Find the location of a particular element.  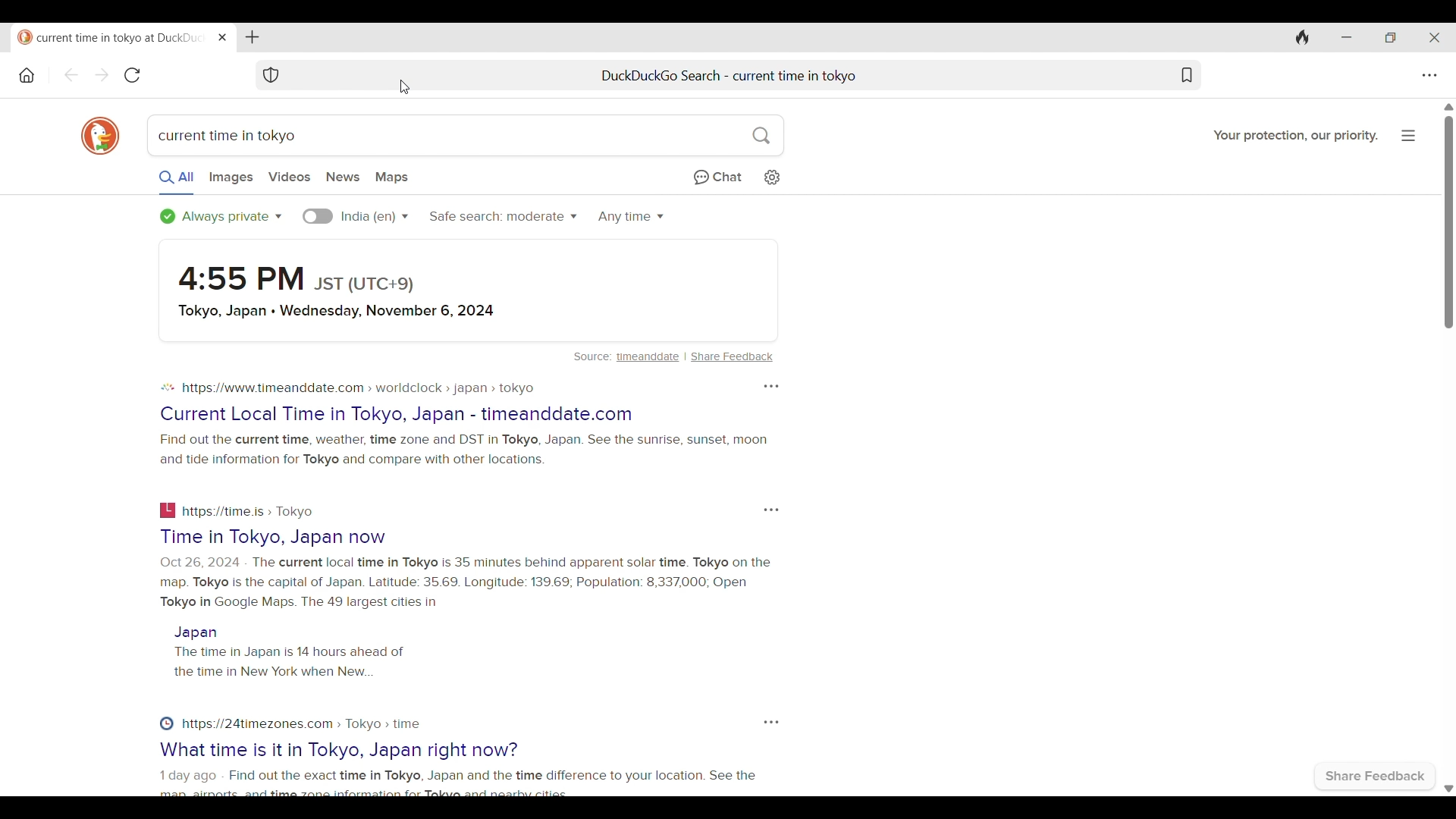

Search images is located at coordinates (232, 178).